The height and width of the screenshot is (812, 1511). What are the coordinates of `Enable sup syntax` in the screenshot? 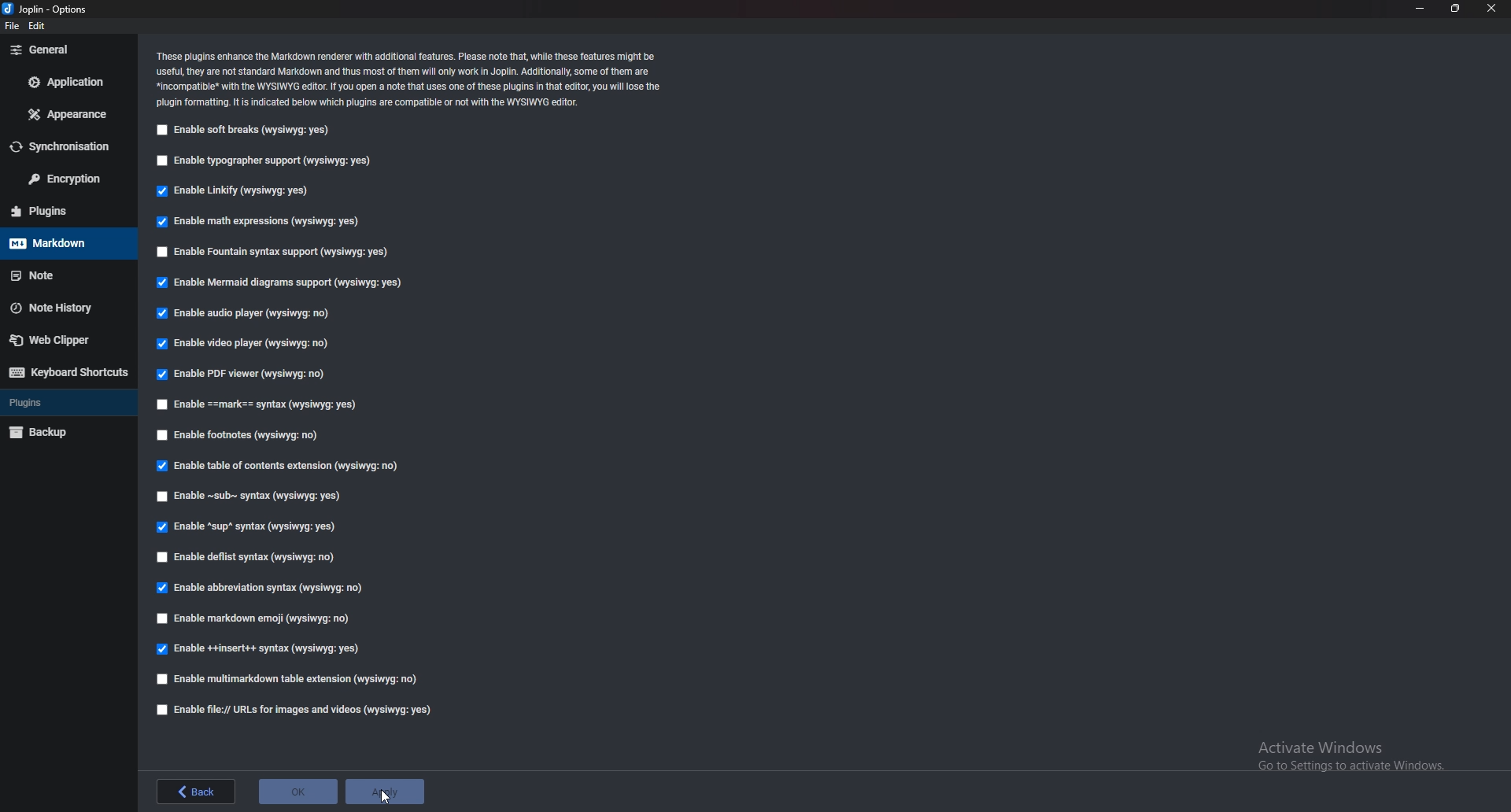 It's located at (251, 526).